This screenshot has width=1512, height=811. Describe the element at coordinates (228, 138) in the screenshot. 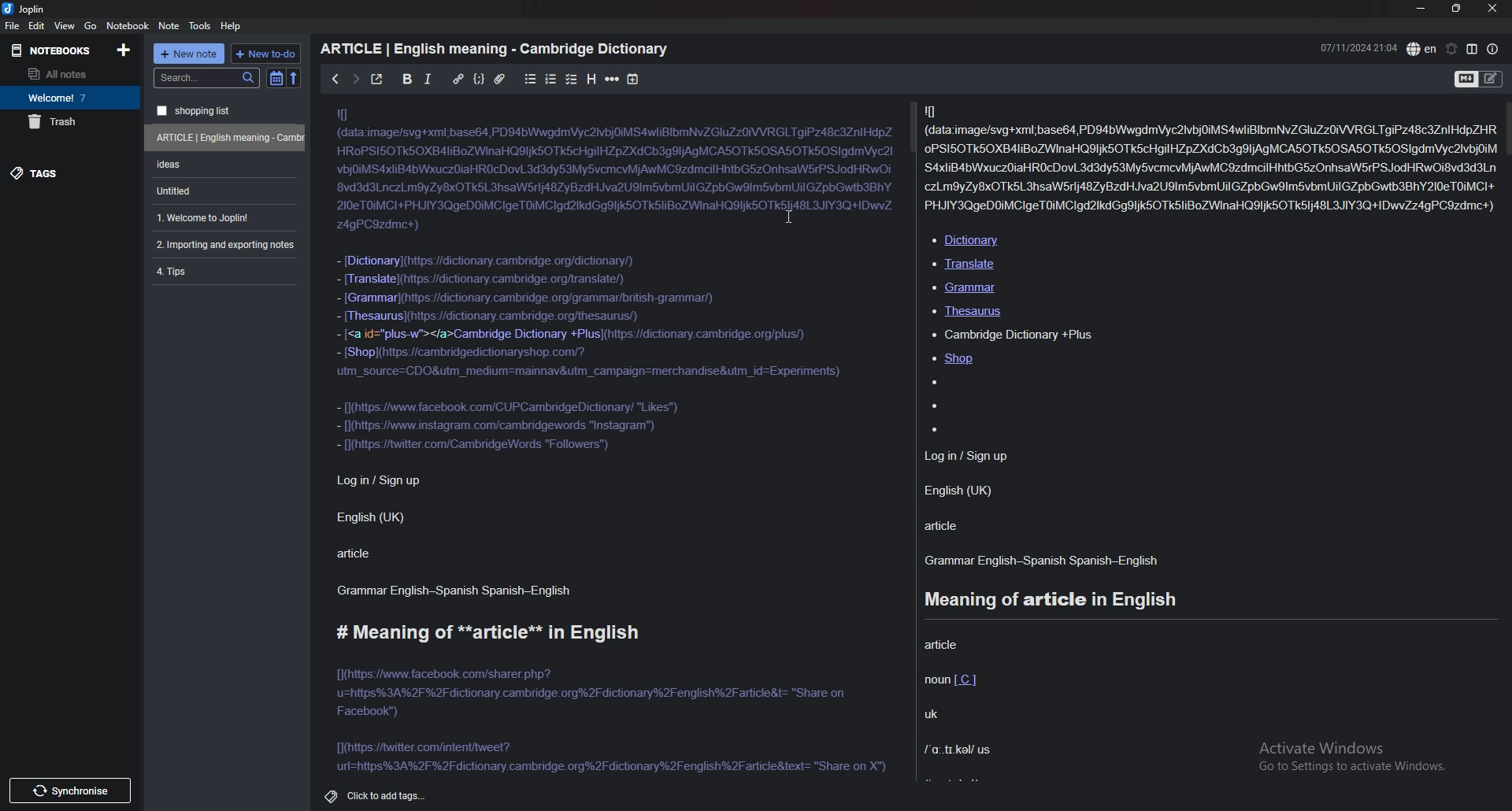

I see `web clip` at that location.